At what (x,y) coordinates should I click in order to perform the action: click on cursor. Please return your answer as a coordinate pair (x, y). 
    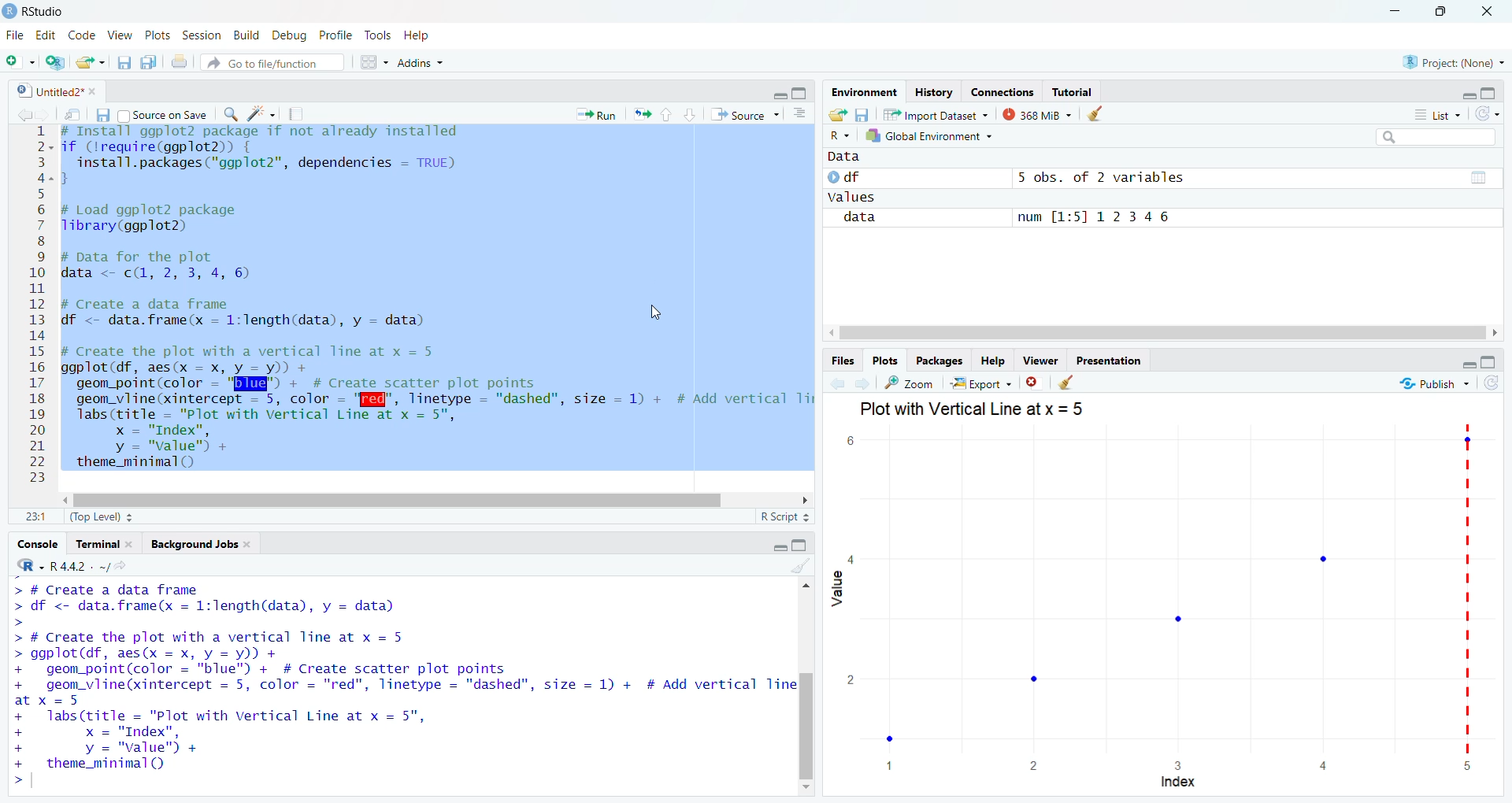
    Looking at the image, I should click on (657, 313).